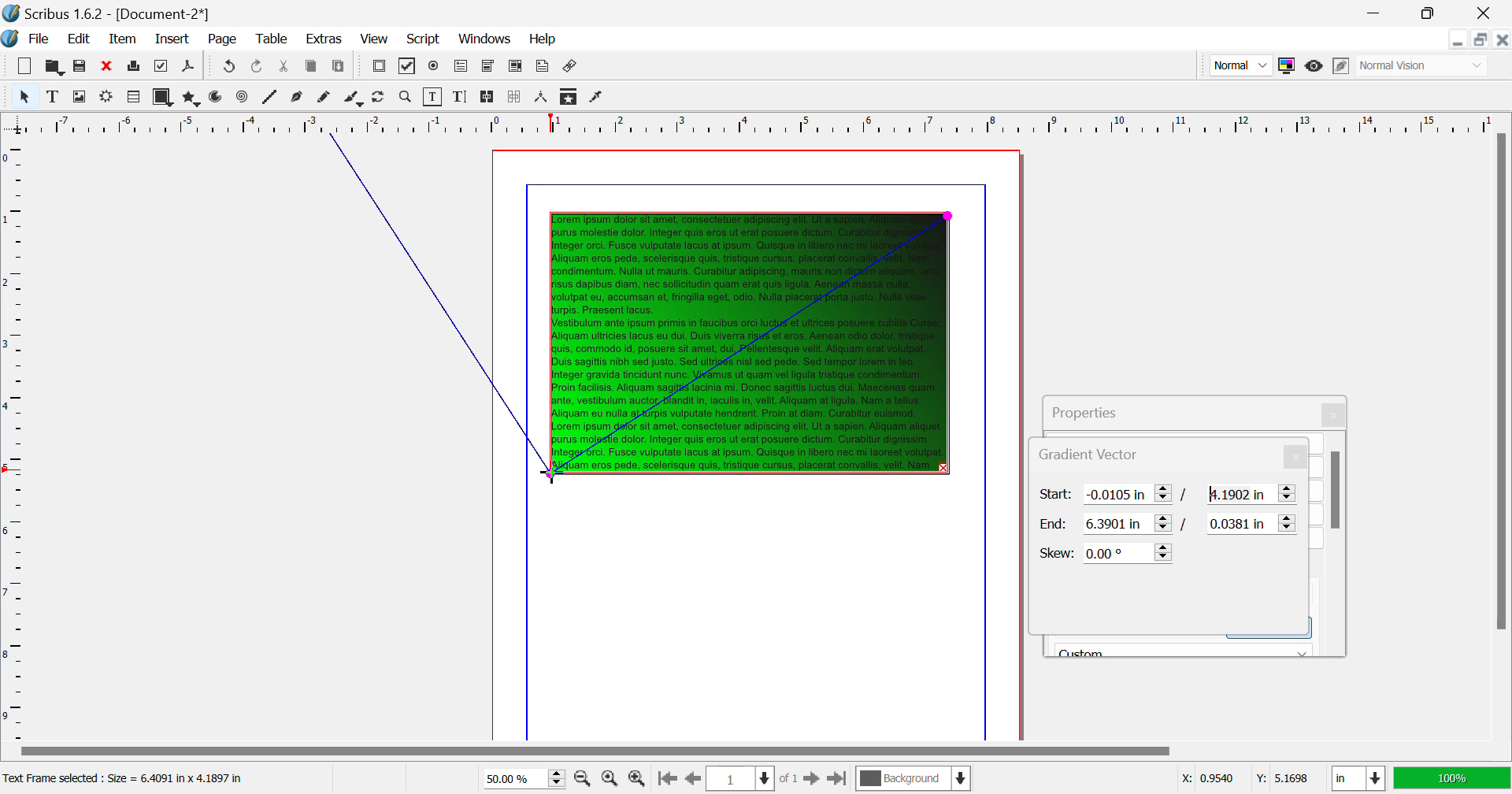  I want to click on Help, so click(544, 39).